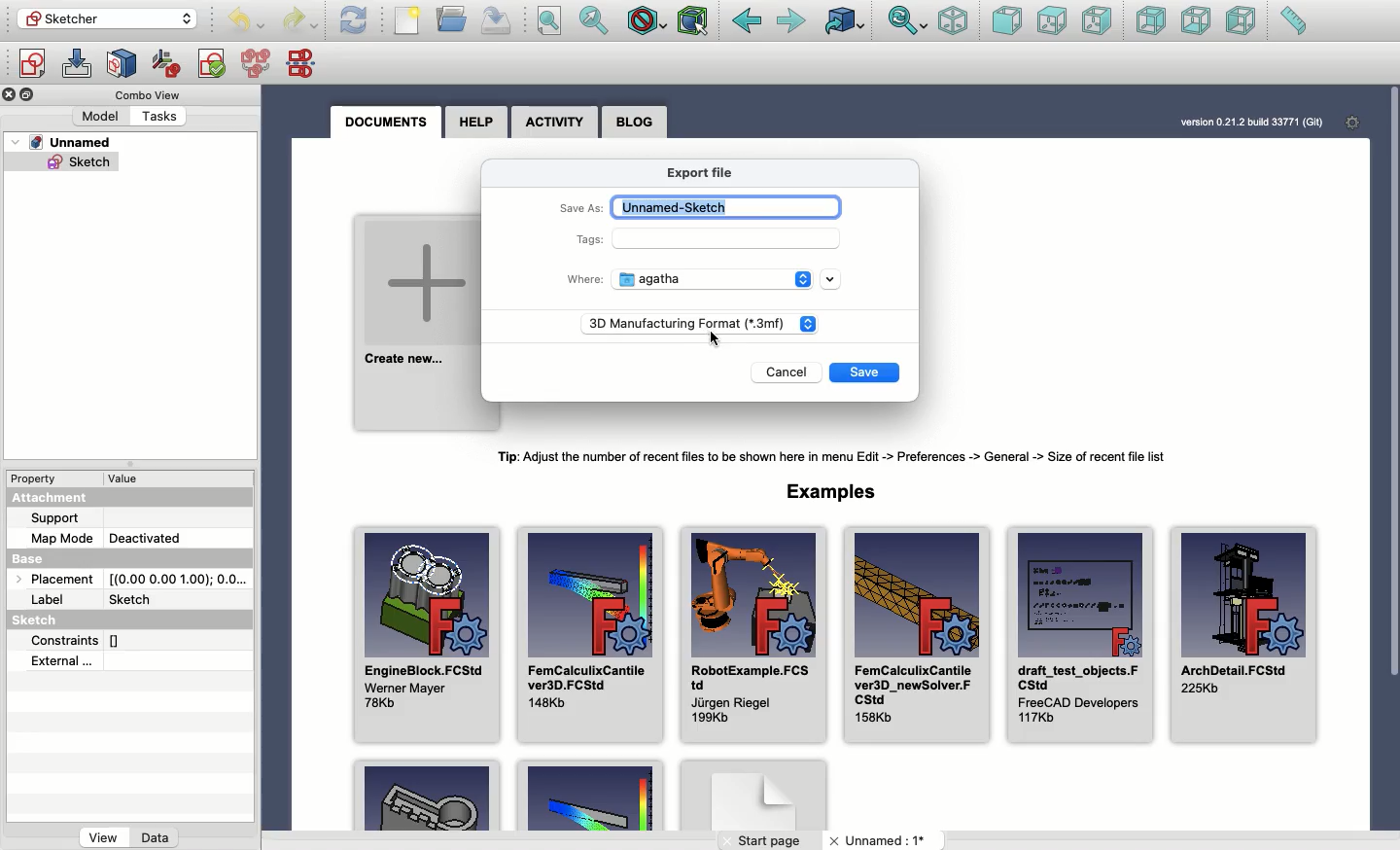  What do you see at coordinates (1097, 20) in the screenshot?
I see `Right` at bounding box center [1097, 20].